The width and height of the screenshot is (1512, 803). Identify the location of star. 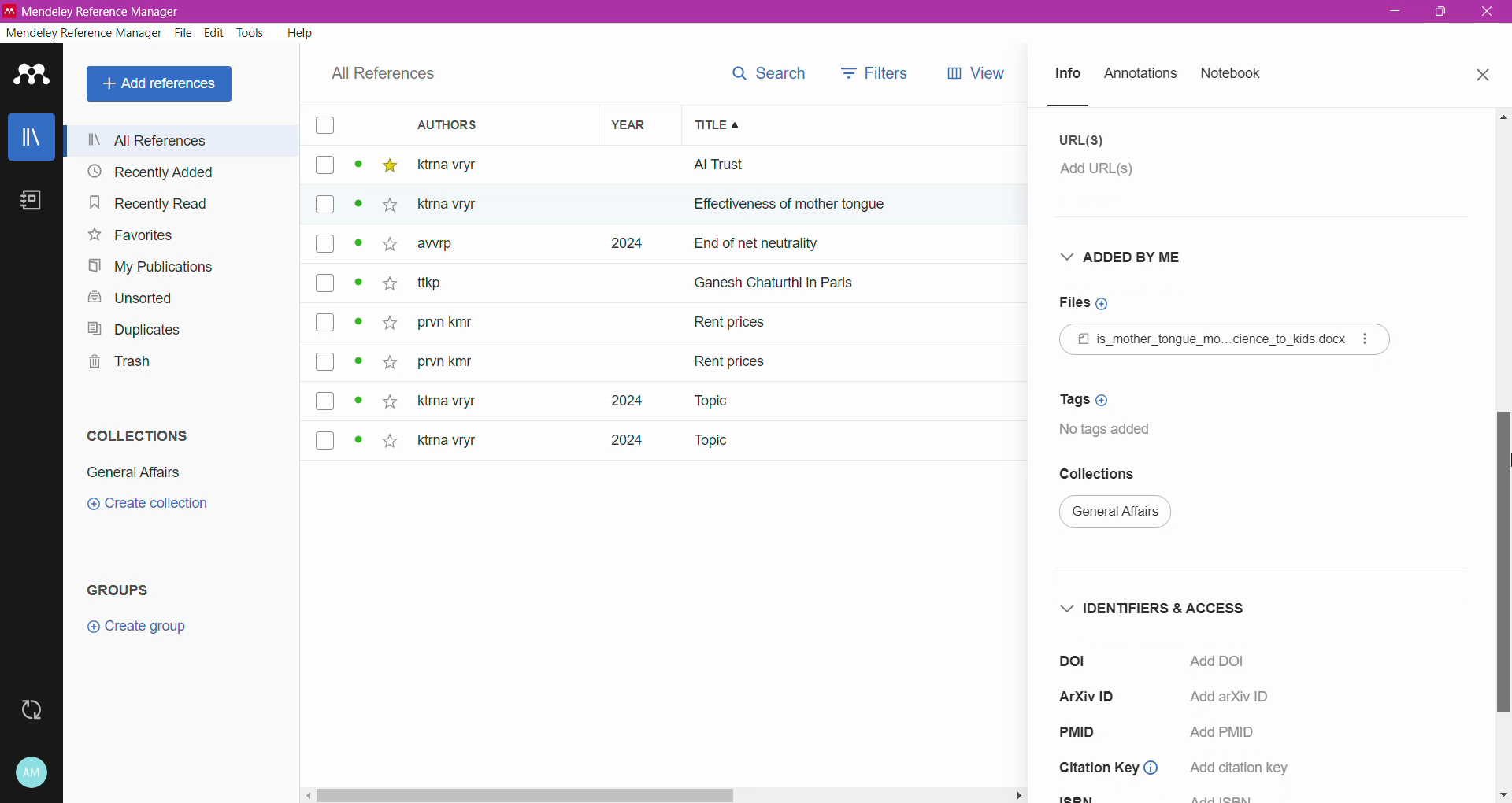
(389, 166).